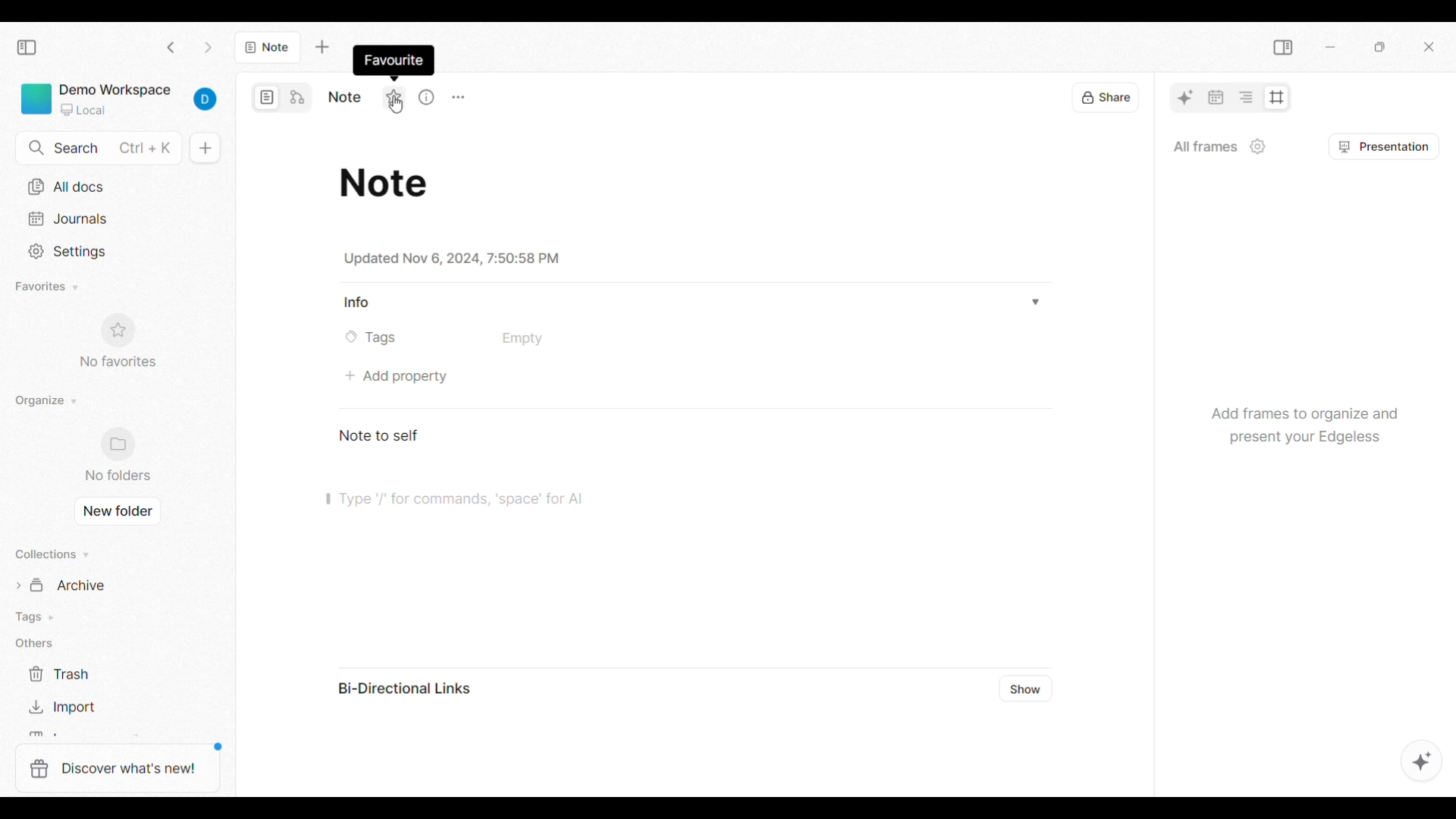 The width and height of the screenshot is (1456, 819). What do you see at coordinates (1216, 97) in the screenshot?
I see `Calendar` at bounding box center [1216, 97].